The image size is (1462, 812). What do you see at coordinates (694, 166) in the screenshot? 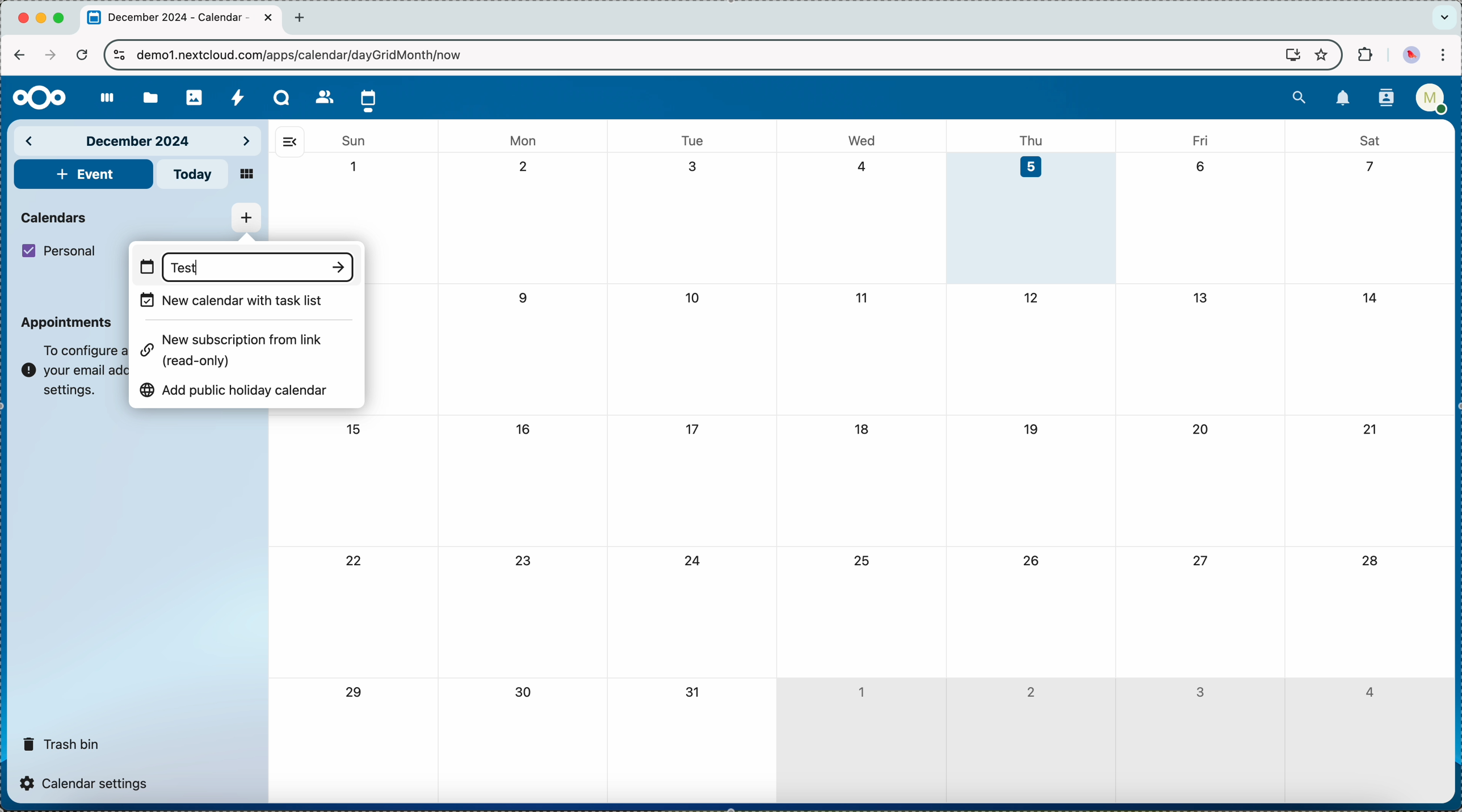
I see `3` at bounding box center [694, 166].